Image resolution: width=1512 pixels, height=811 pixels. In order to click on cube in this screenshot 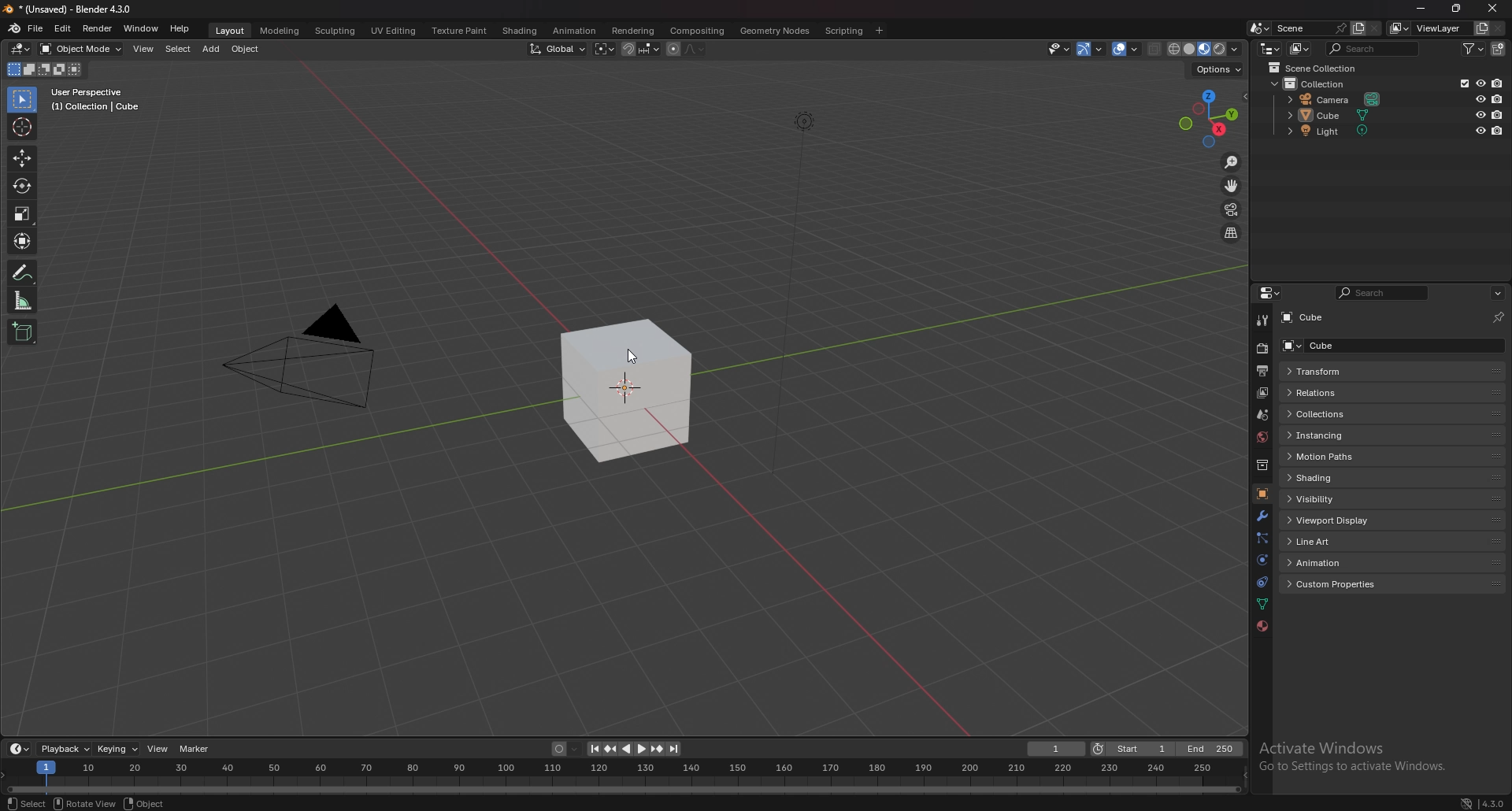, I will do `click(1340, 345)`.